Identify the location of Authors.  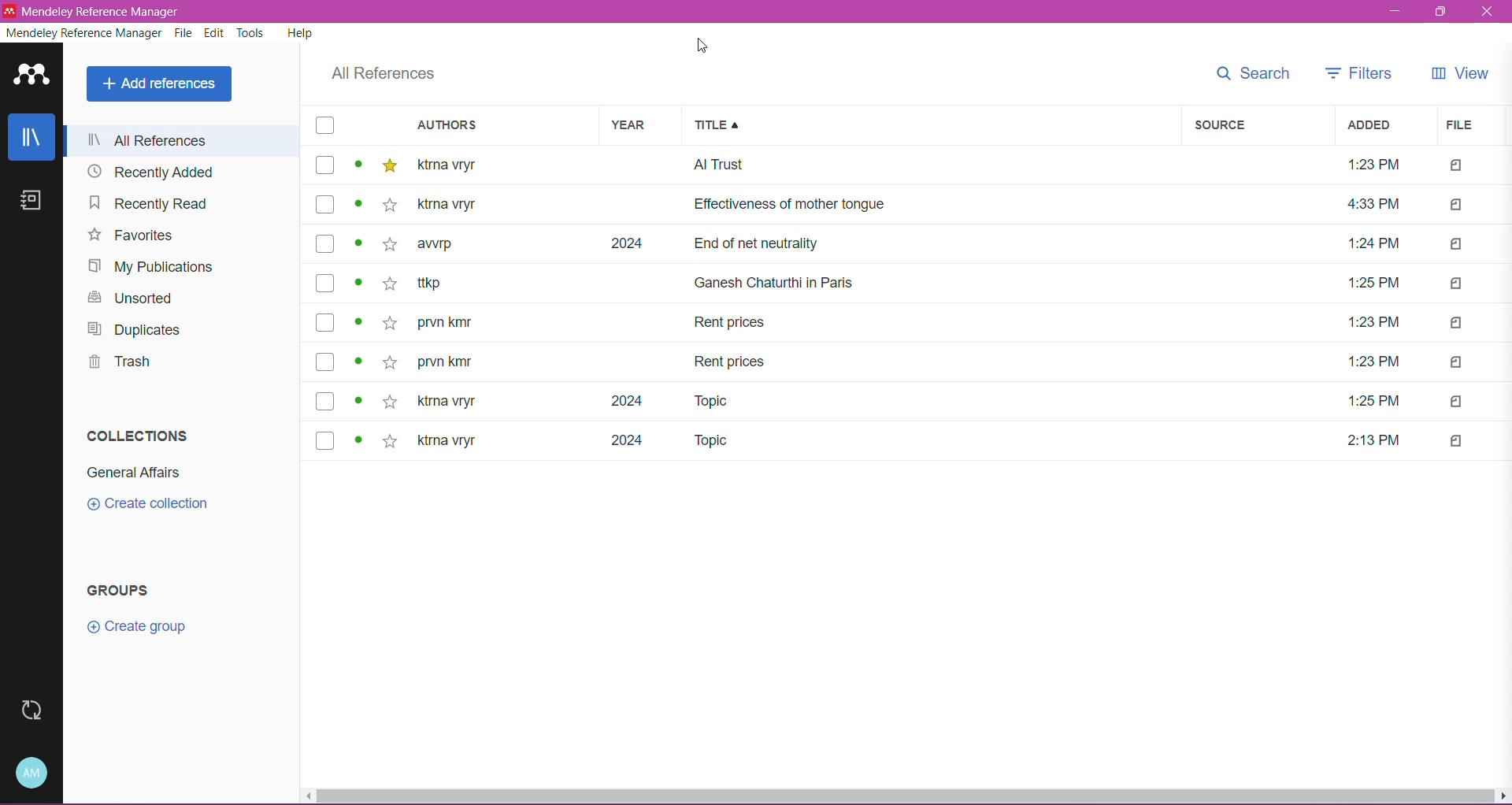
(503, 124).